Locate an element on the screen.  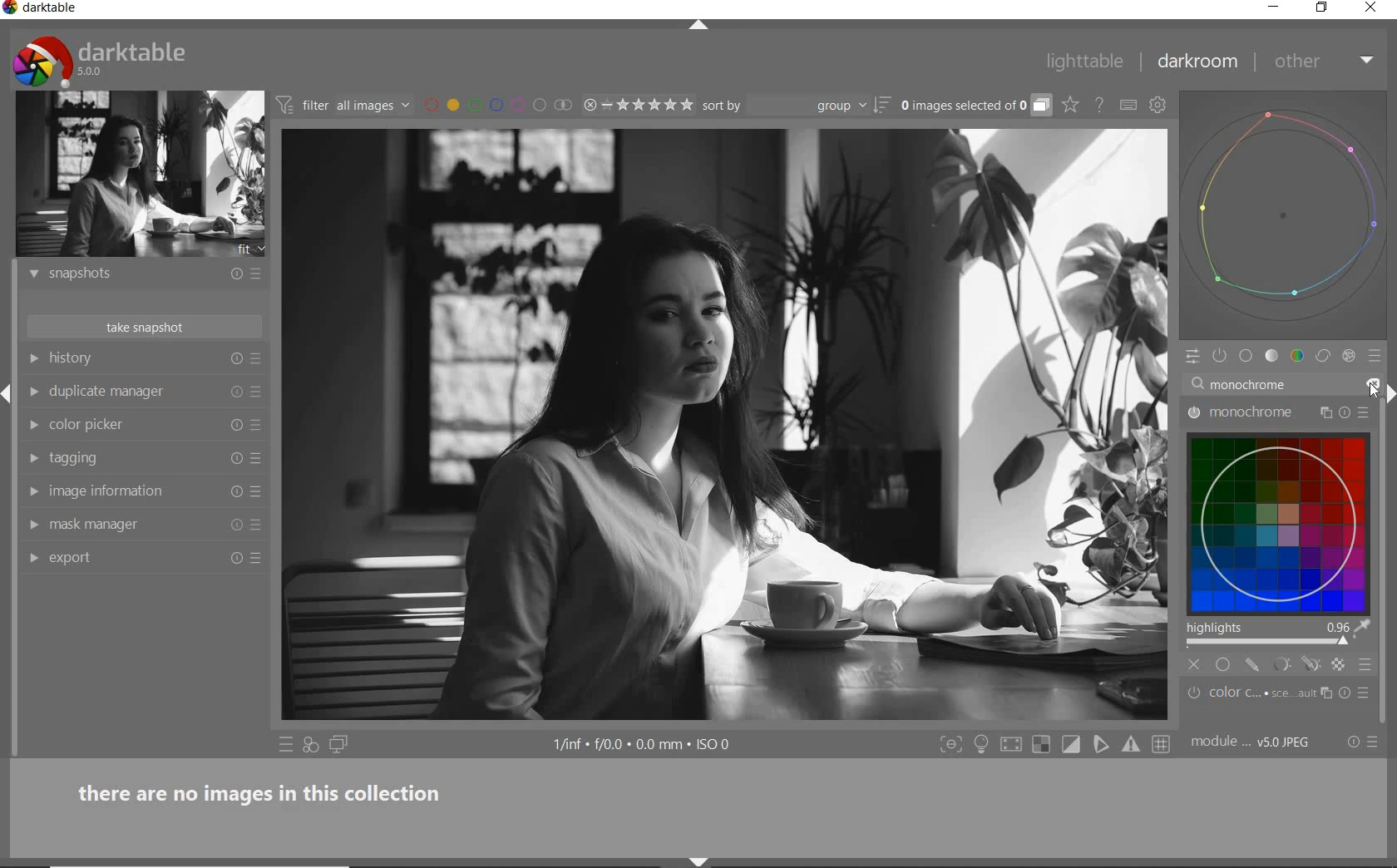
open online help is located at coordinates (1099, 104).